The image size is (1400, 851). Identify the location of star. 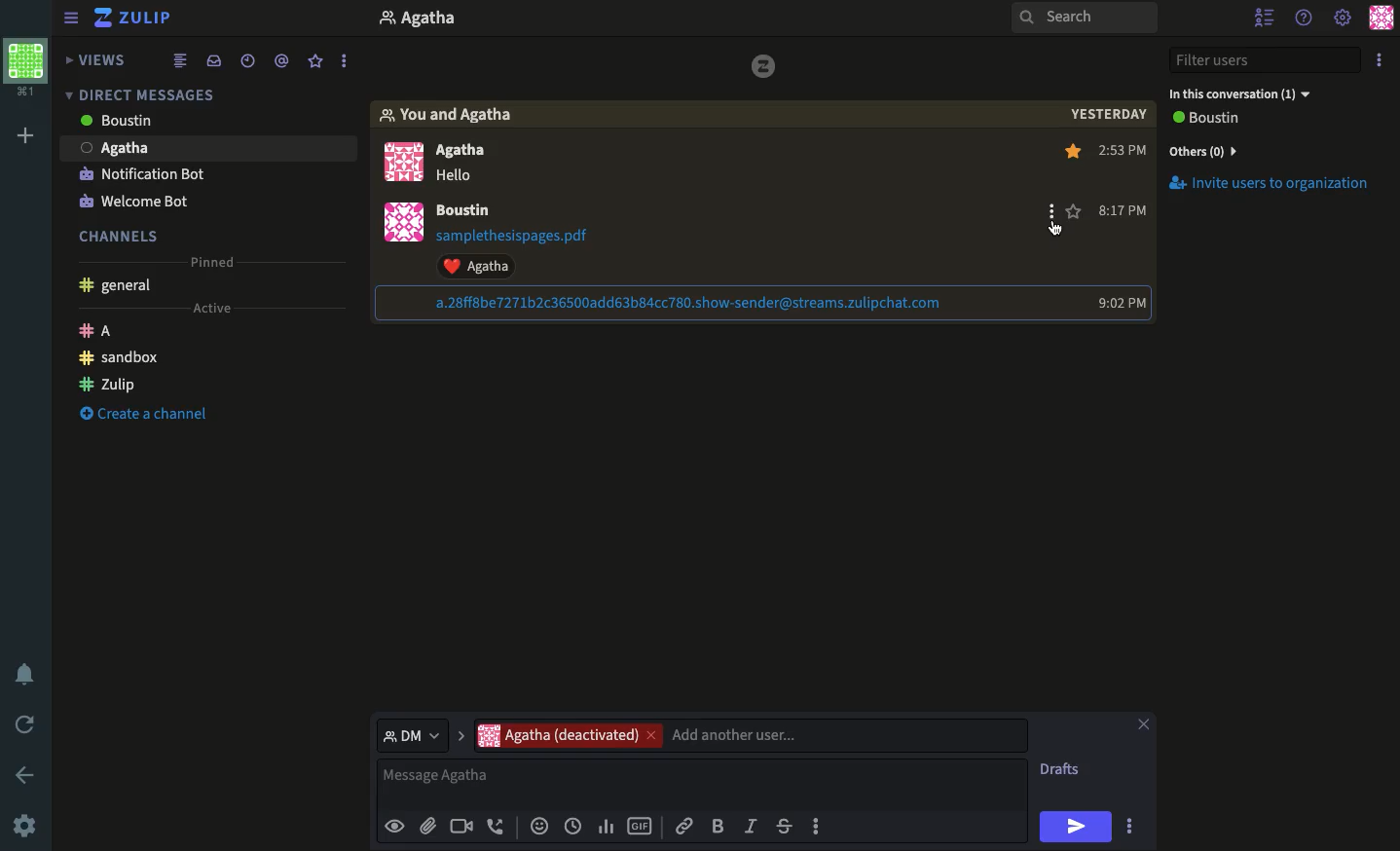
(1074, 210).